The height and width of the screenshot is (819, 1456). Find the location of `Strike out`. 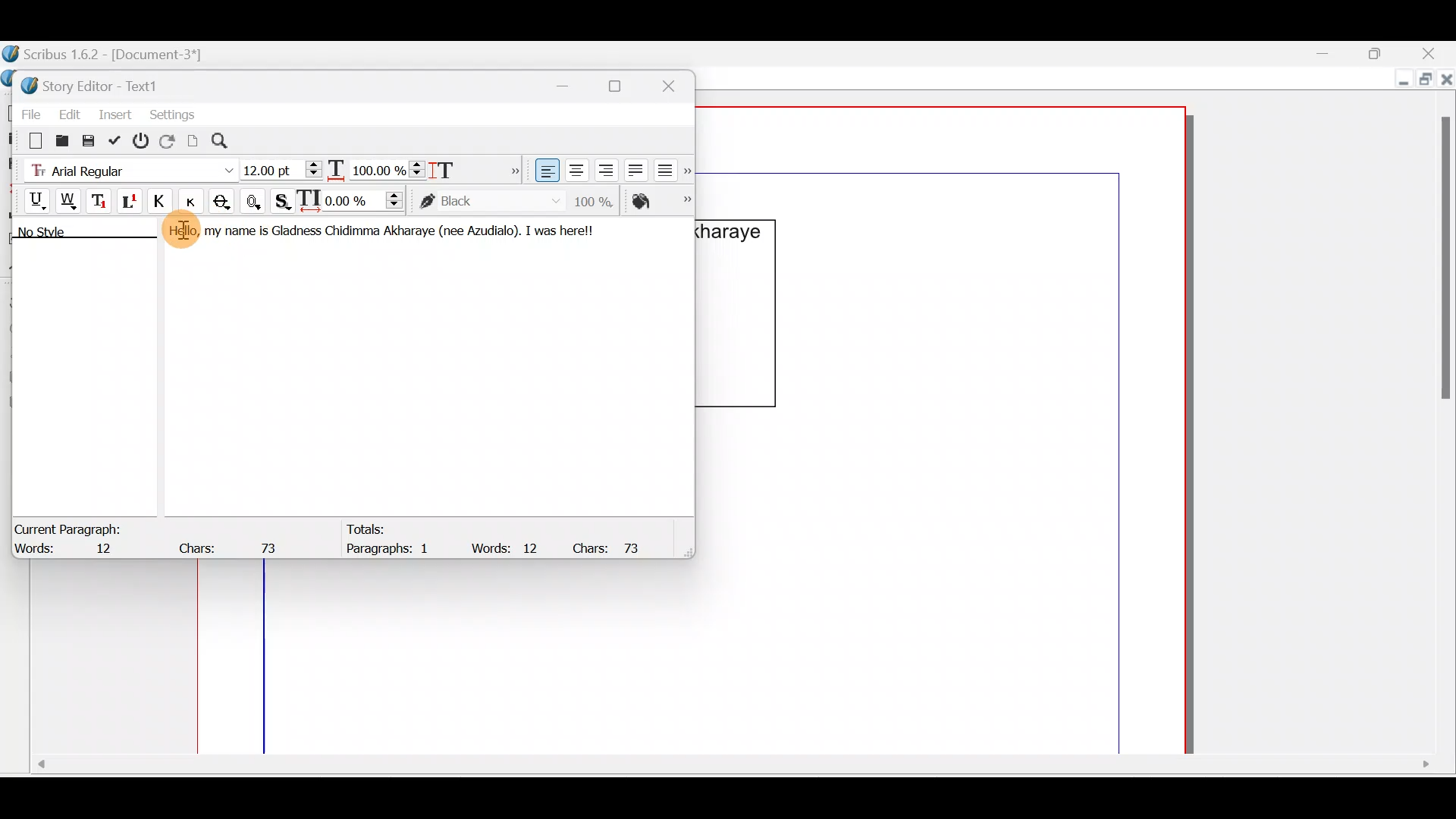

Strike out is located at coordinates (226, 202).